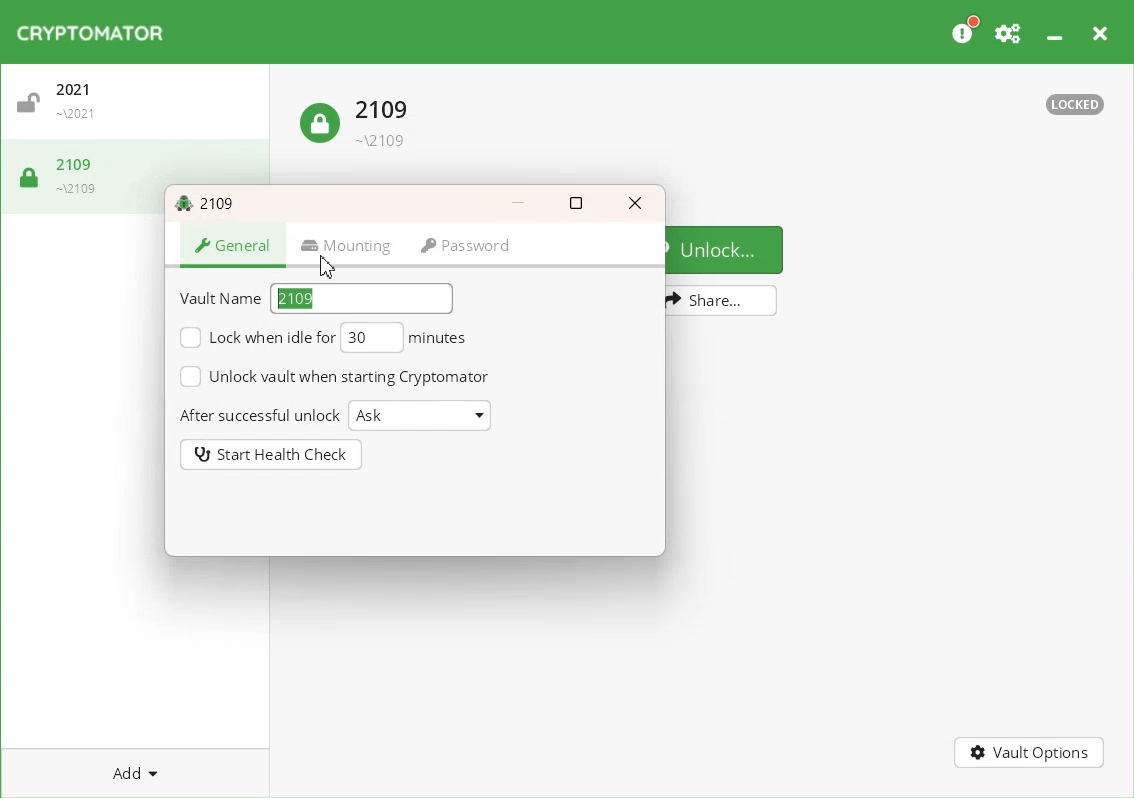 This screenshot has height=798, width=1134. What do you see at coordinates (136, 773) in the screenshot?
I see `Add` at bounding box center [136, 773].